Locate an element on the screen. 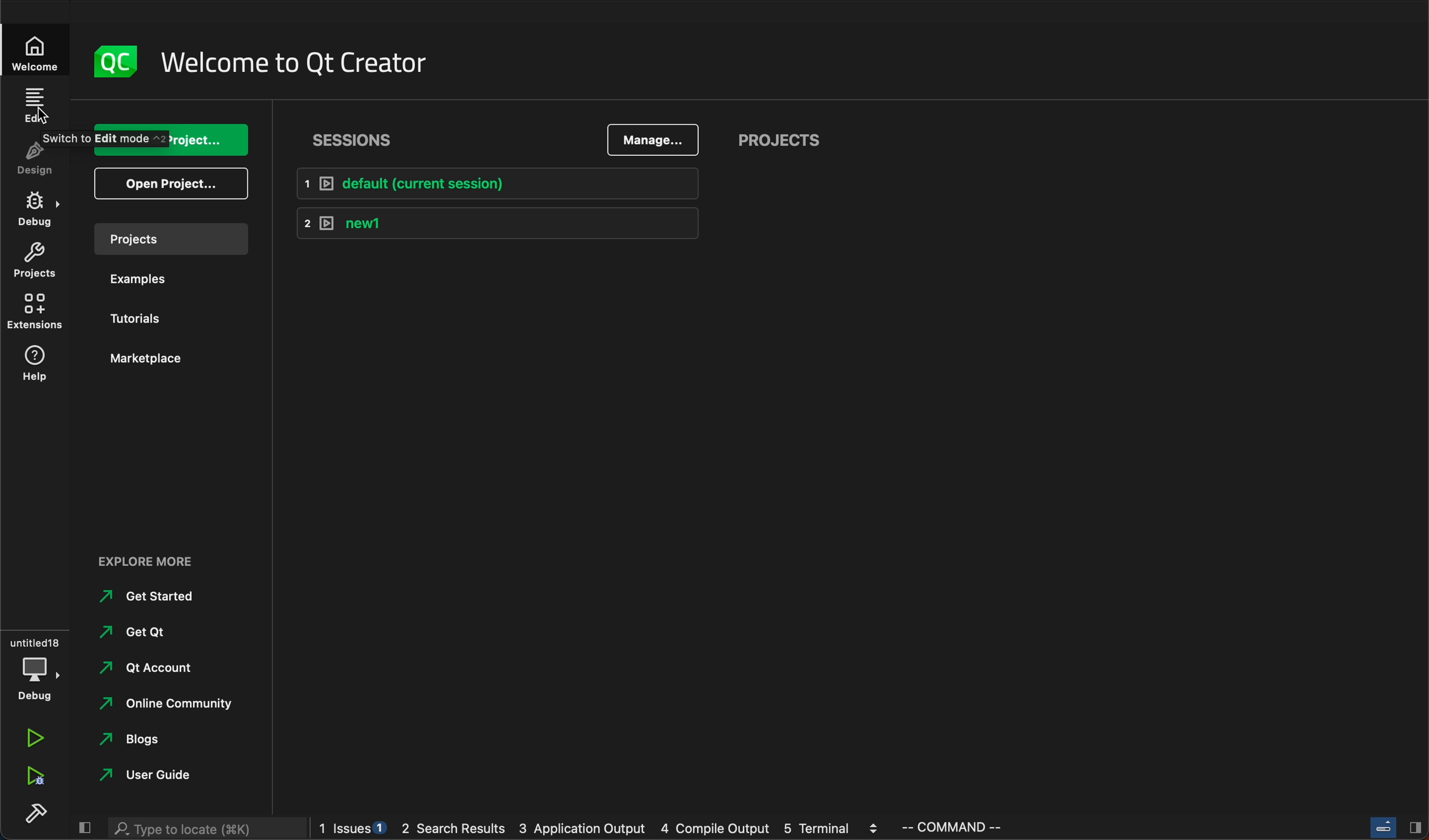 The height and width of the screenshot is (840, 1429). close slide bar is located at coordinates (1394, 826).